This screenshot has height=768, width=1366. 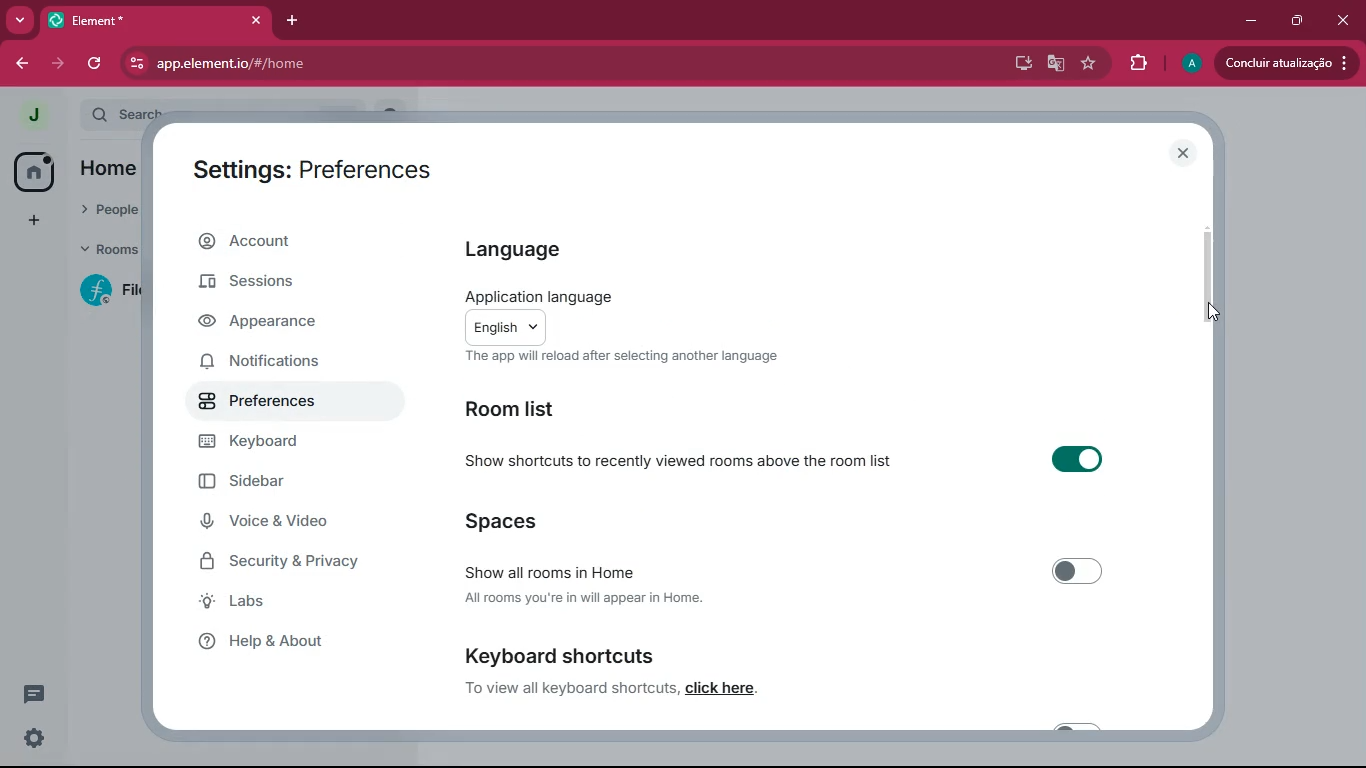 I want to click on language , so click(x=538, y=249).